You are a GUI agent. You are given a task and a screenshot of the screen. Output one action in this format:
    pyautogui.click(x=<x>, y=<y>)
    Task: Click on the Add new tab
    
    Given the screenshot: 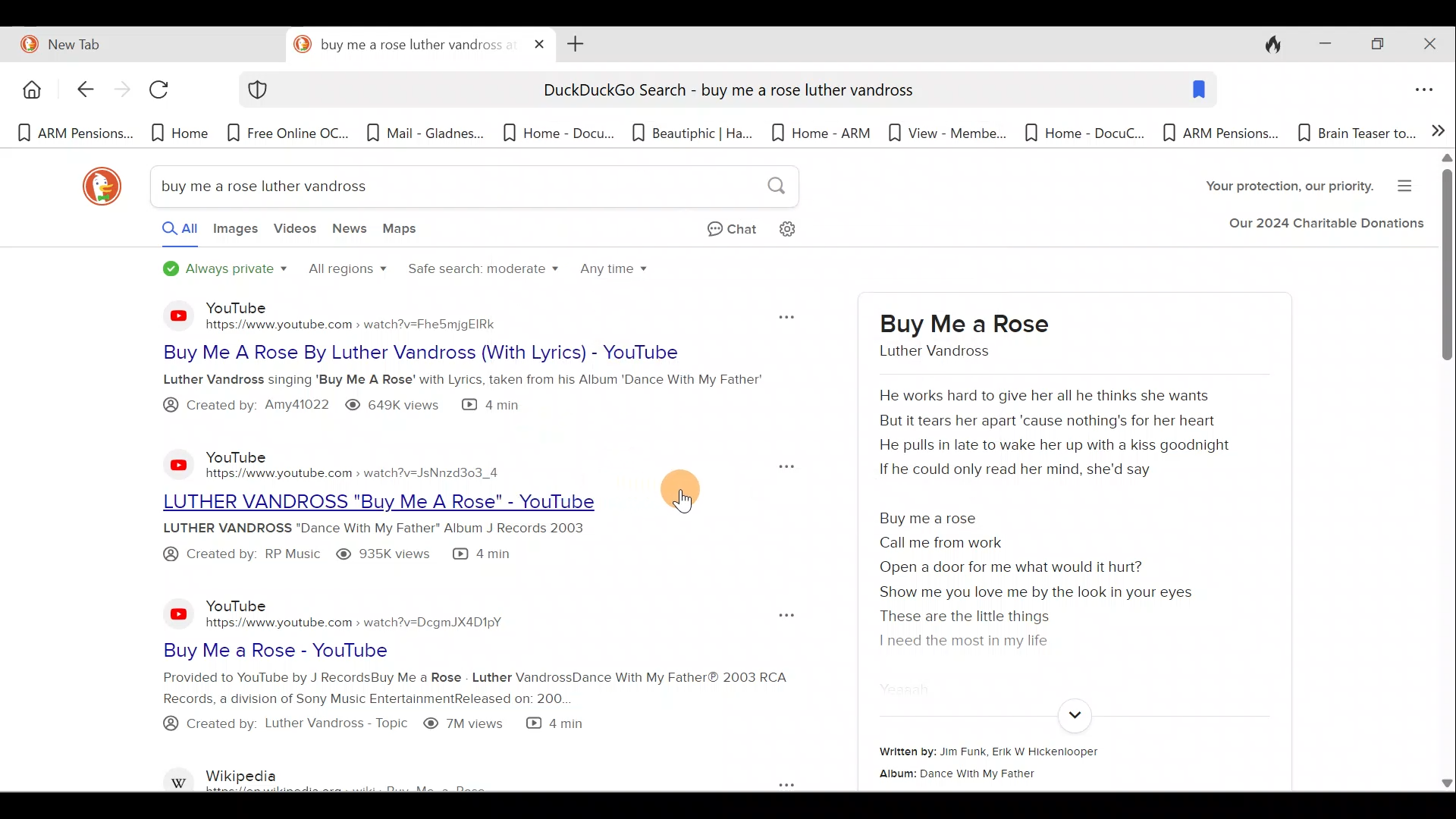 What is the action you would take?
    pyautogui.click(x=573, y=42)
    